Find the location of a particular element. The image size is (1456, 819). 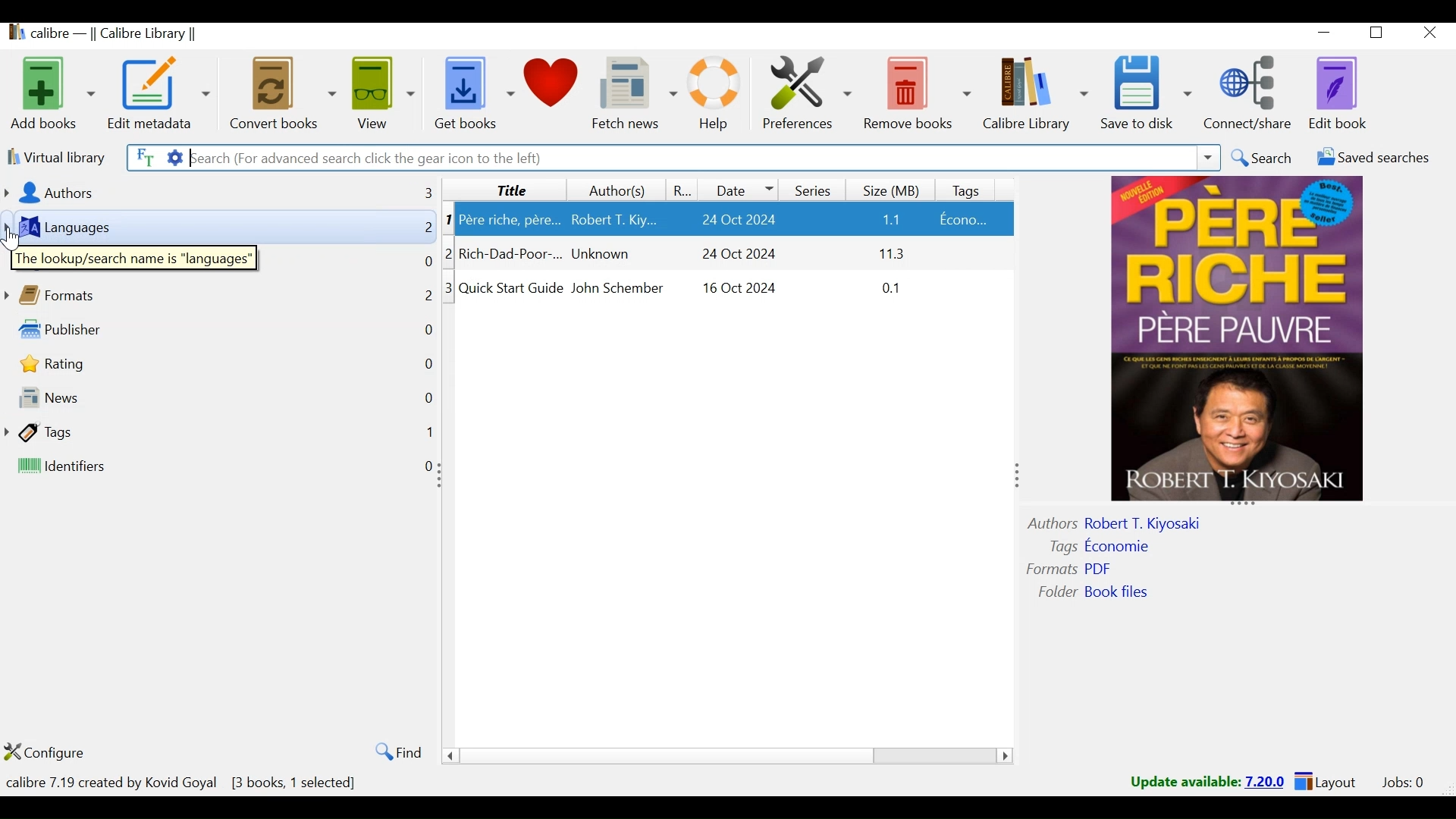

calibre-calibre library is located at coordinates (121, 35).